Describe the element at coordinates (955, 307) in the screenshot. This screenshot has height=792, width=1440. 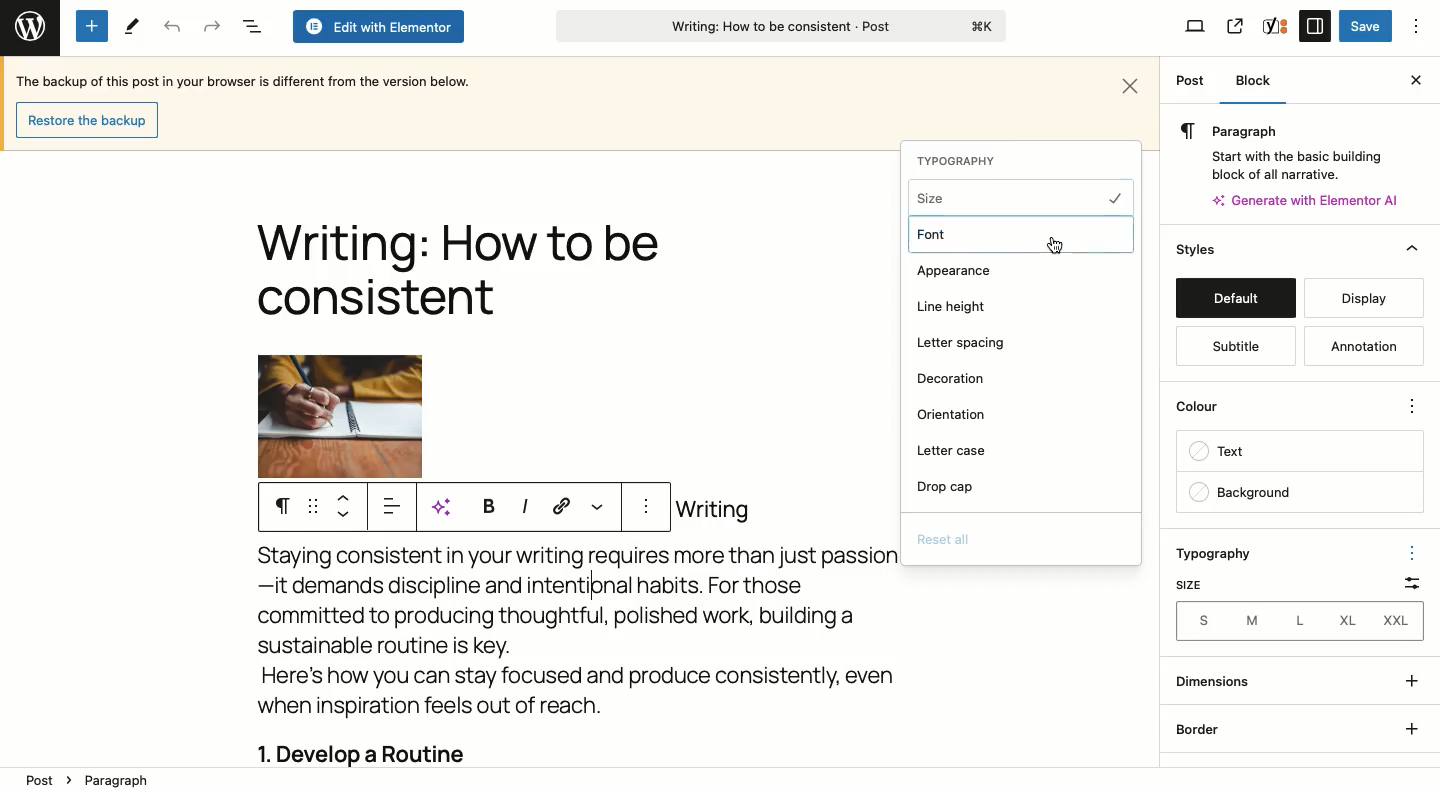
I see `Line height` at that location.